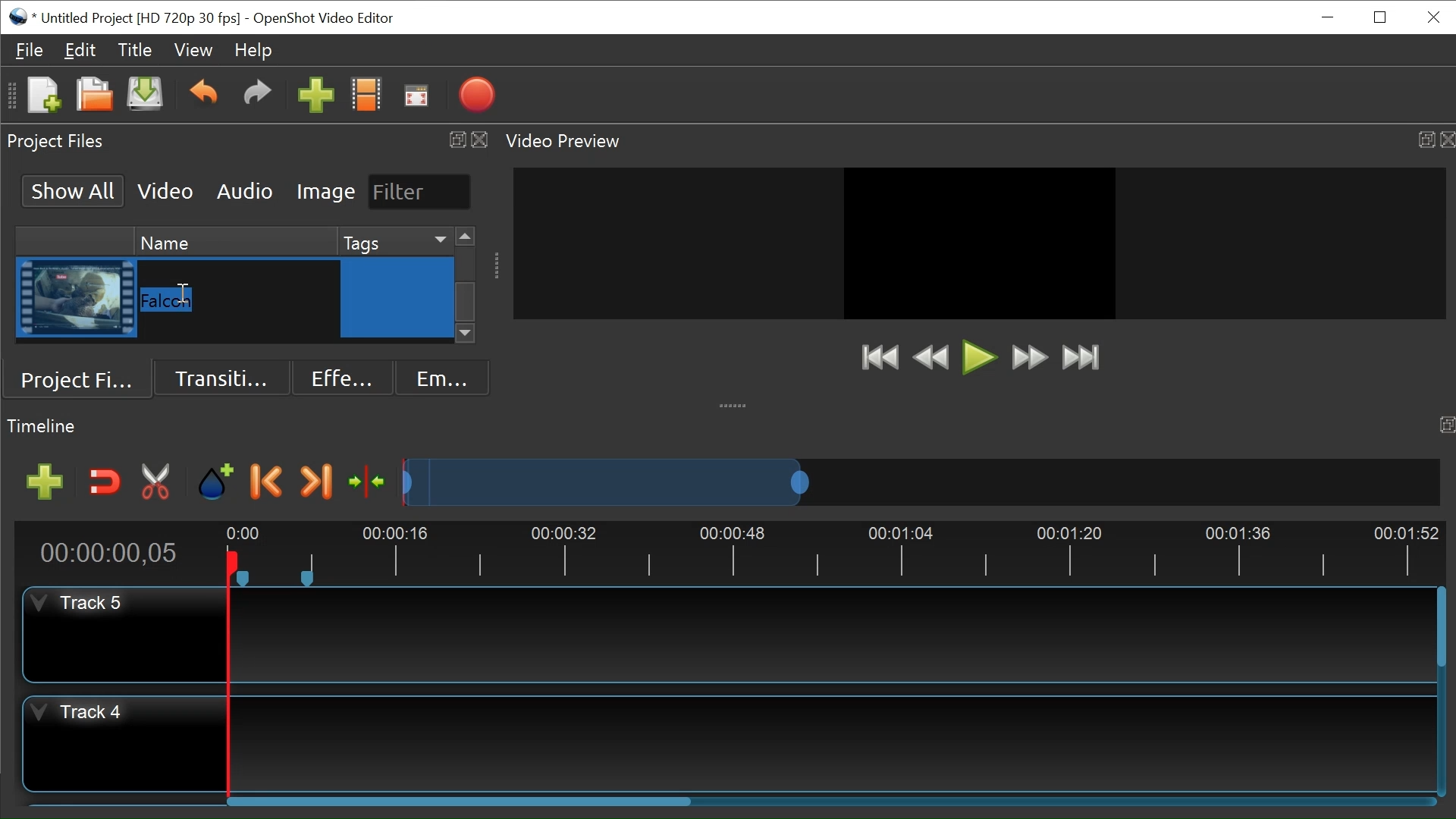  I want to click on Emoji, so click(439, 377).